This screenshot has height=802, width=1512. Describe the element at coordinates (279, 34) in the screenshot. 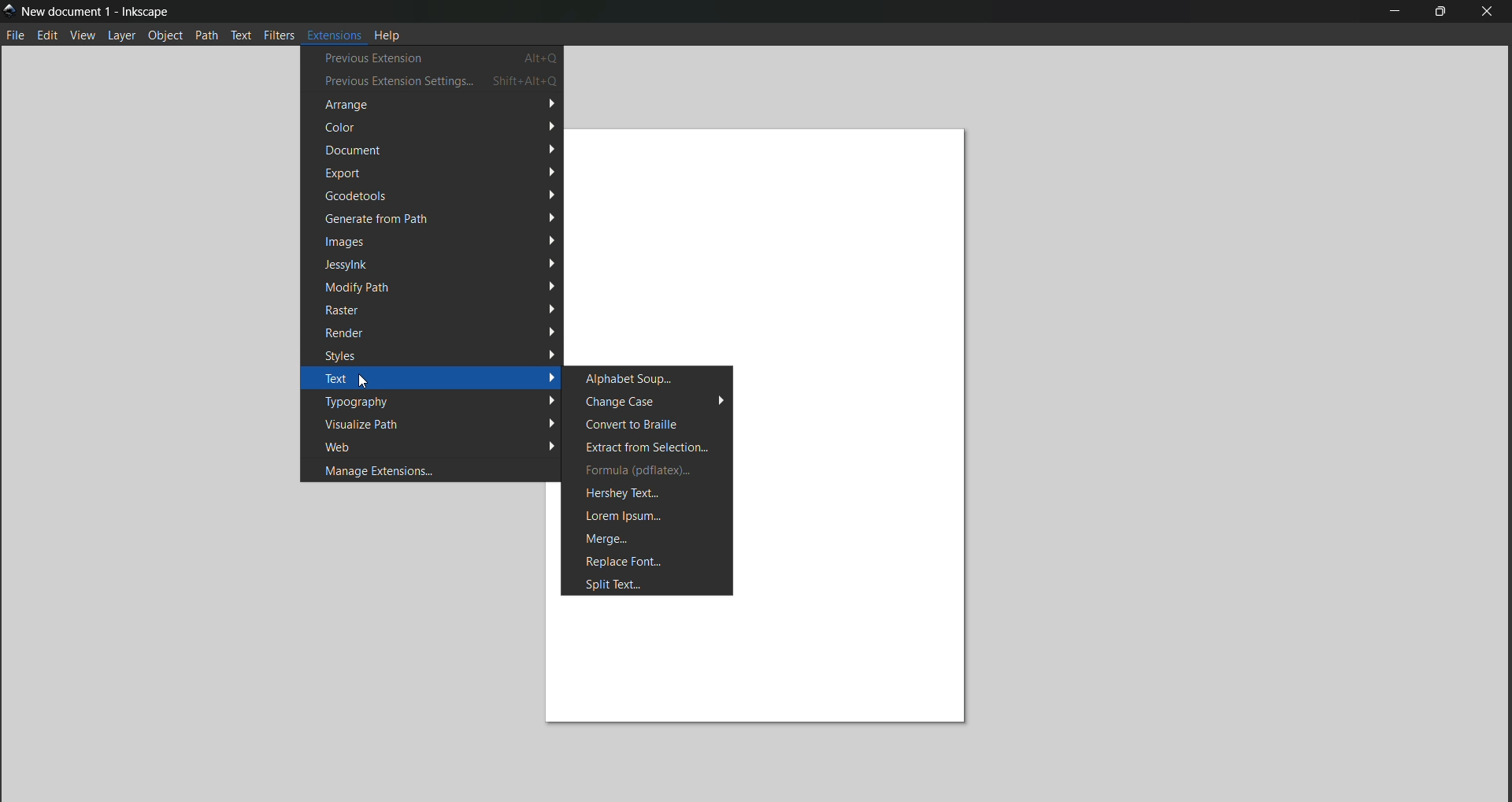

I see `filters` at that location.